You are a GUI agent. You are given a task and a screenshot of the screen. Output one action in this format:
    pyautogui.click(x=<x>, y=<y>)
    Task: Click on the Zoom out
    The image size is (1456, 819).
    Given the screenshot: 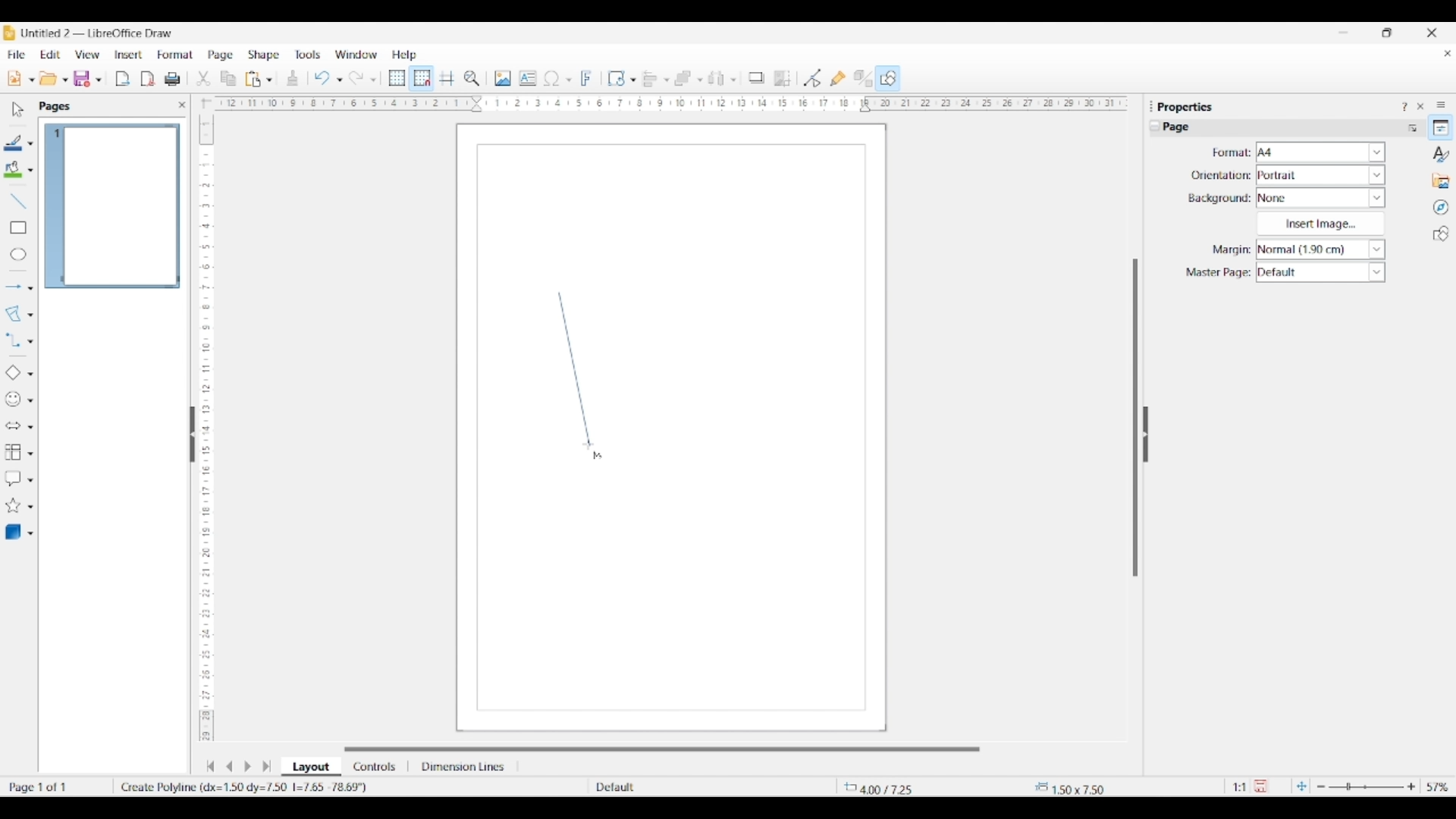 What is the action you would take?
    pyautogui.click(x=1321, y=787)
    